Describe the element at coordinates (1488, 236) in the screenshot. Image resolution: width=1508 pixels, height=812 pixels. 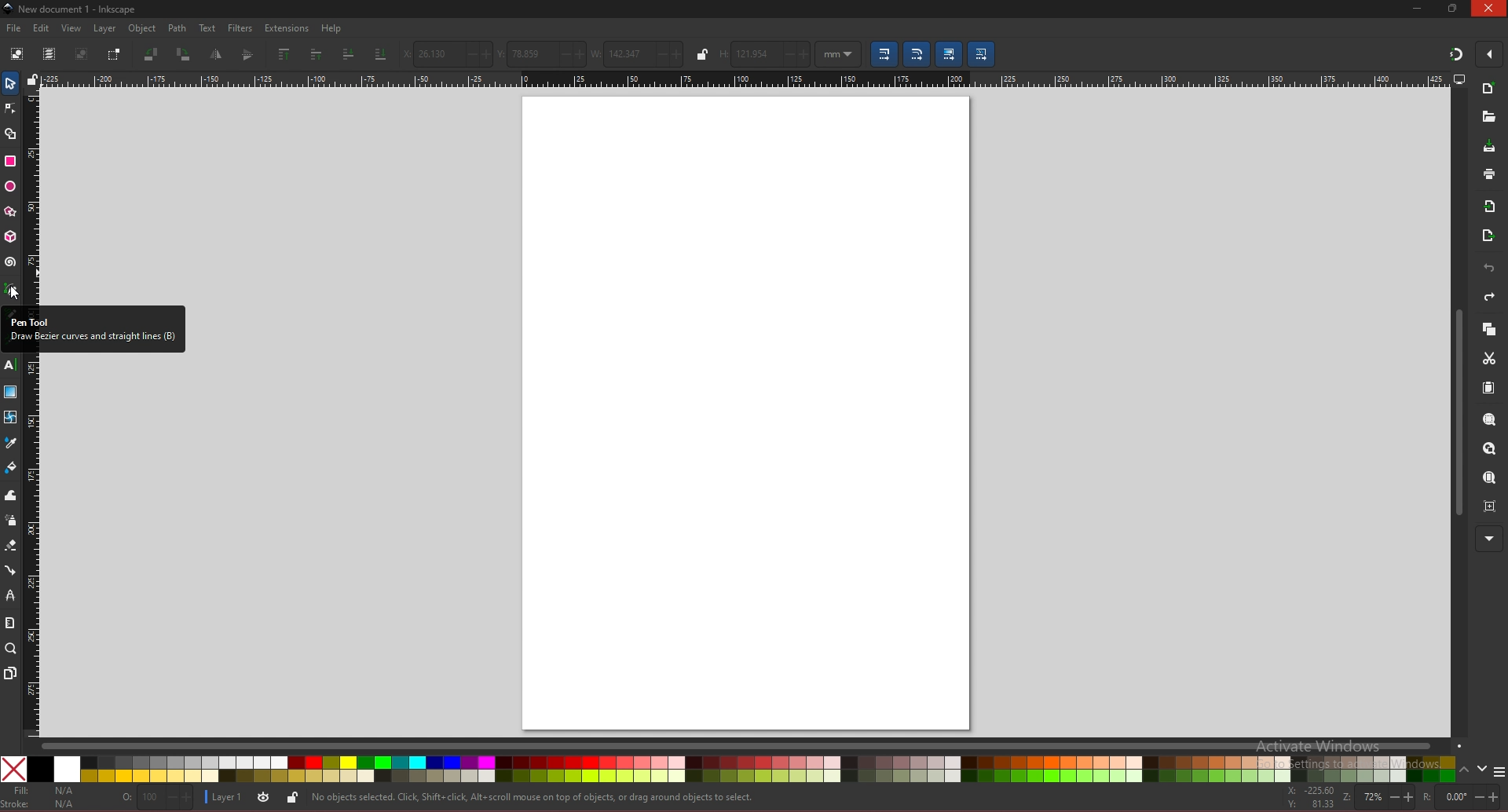
I see `export` at that location.